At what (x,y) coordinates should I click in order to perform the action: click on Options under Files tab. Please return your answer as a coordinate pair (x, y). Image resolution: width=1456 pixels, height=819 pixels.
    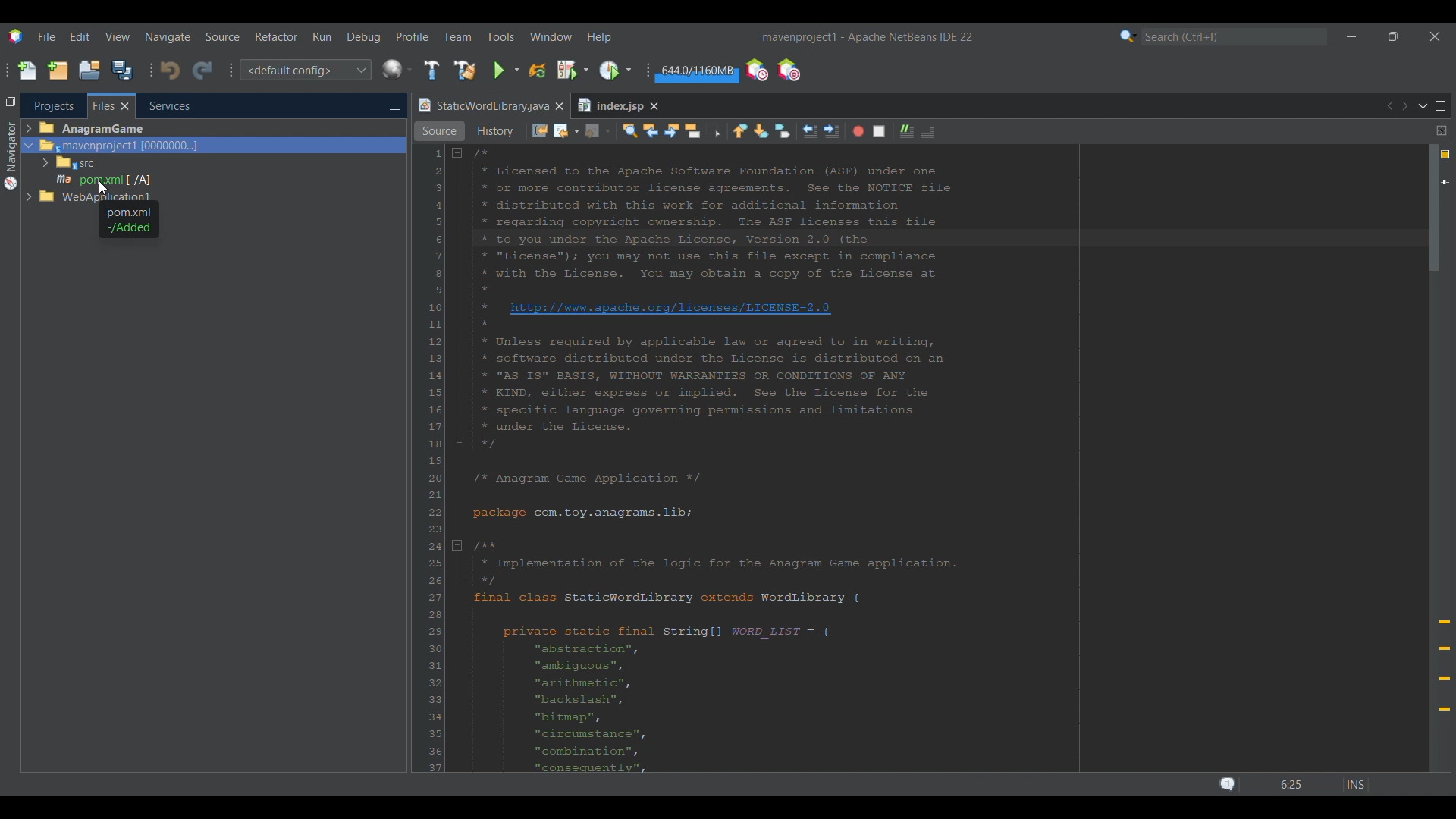
    Looking at the image, I should click on (106, 164).